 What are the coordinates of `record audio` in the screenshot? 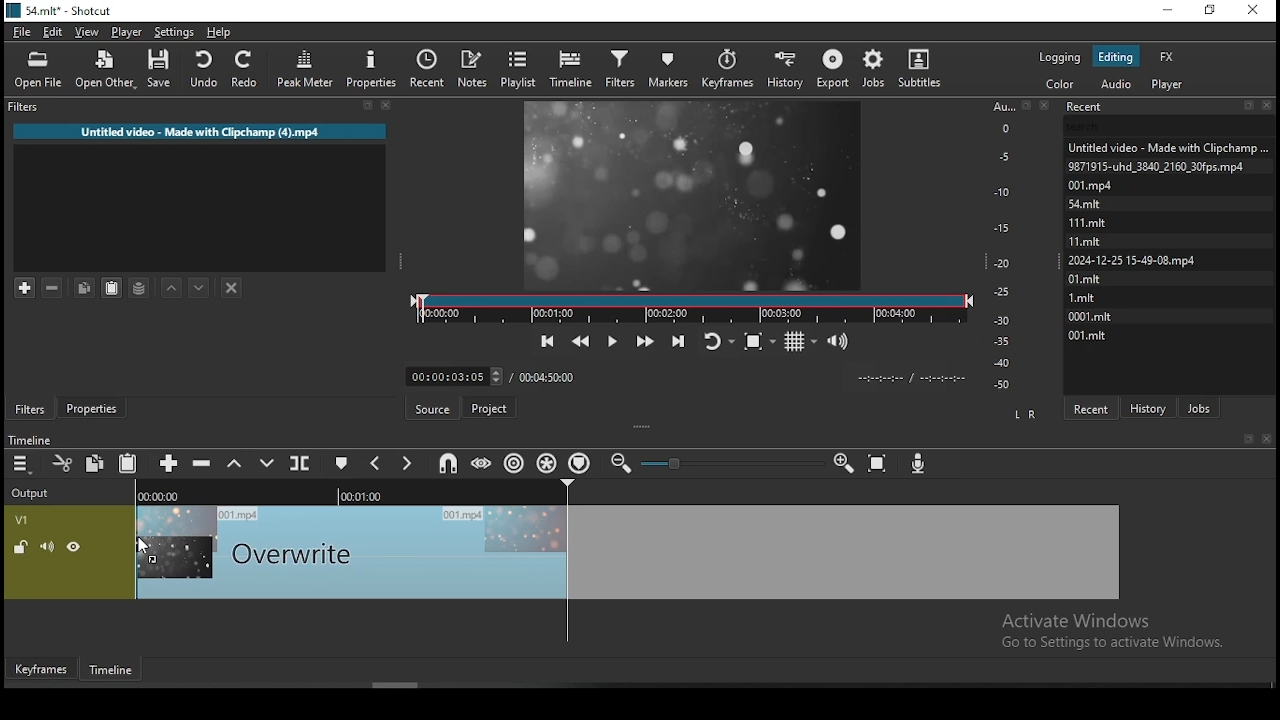 It's located at (921, 460).